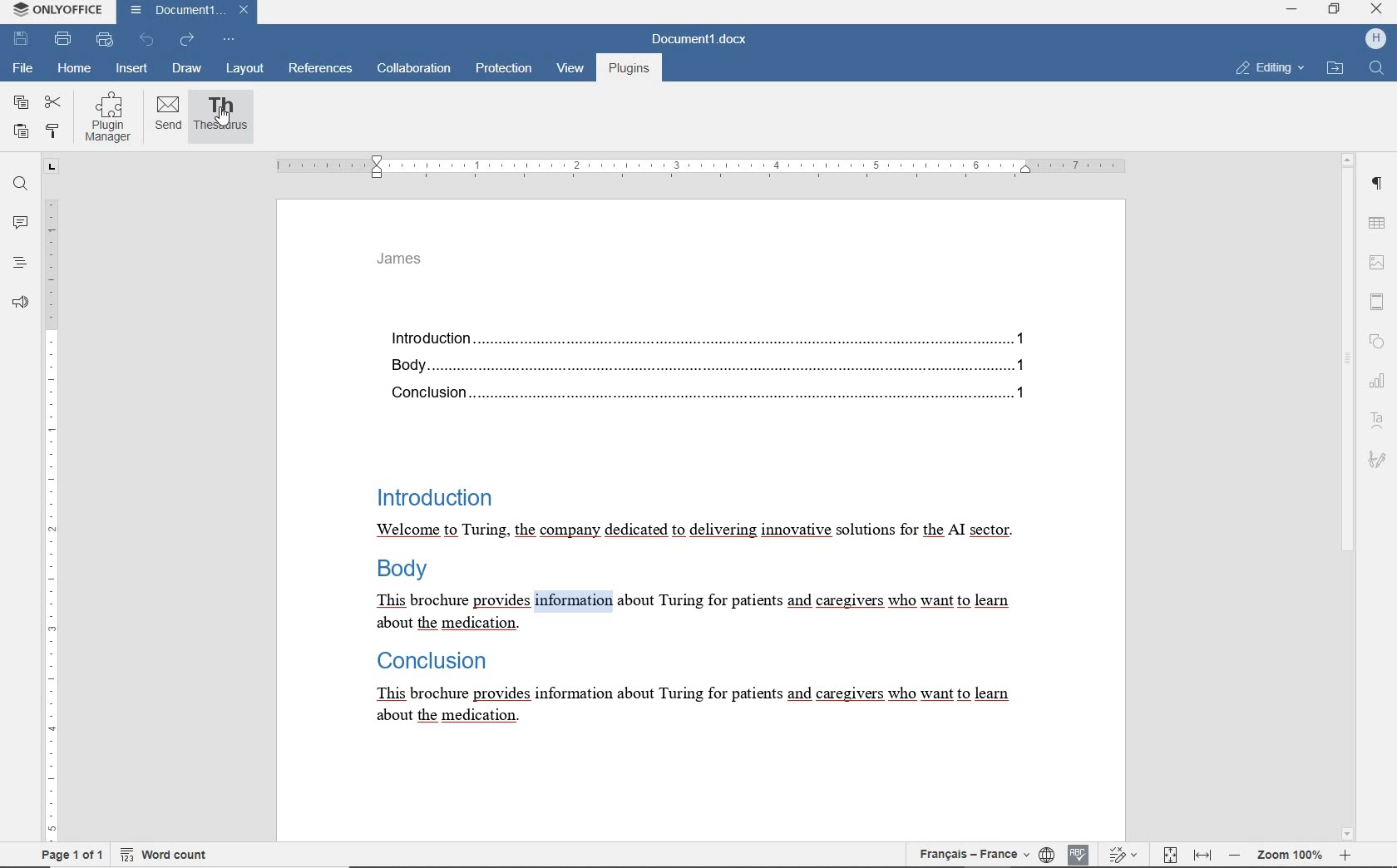 This screenshot has width=1397, height=868. I want to click on RULER, so click(698, 167).